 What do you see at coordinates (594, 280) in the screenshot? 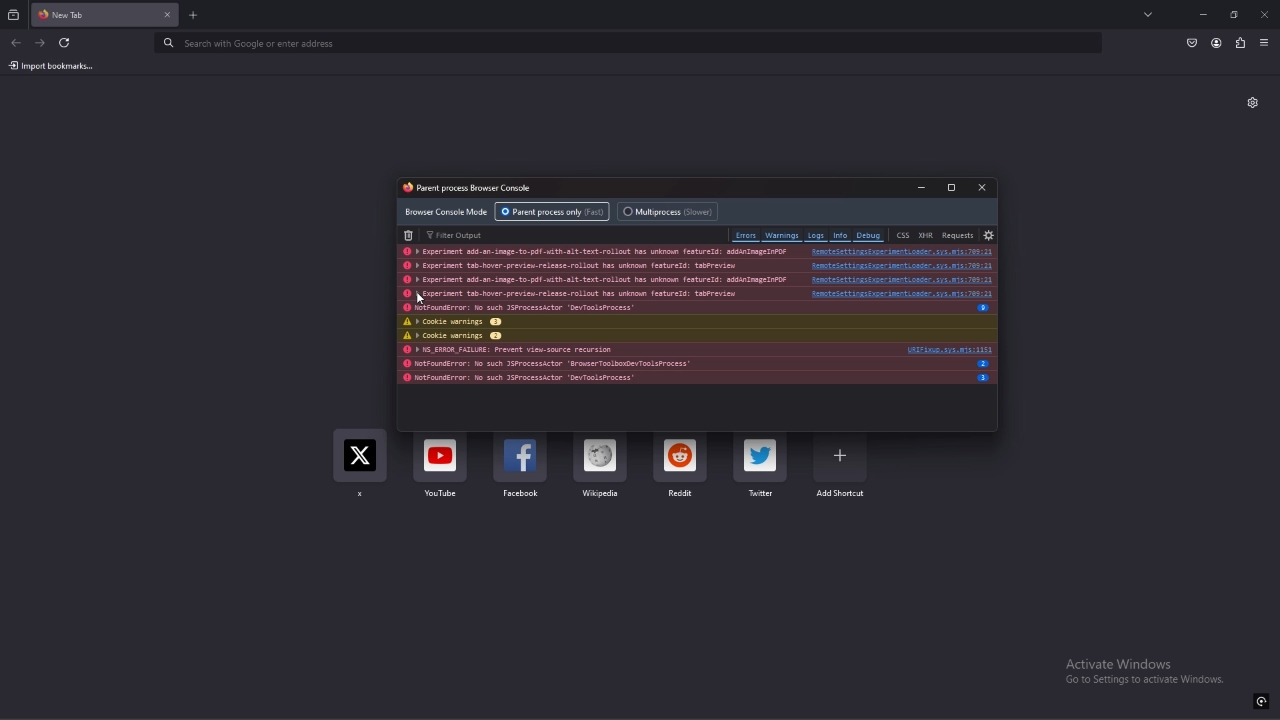
I see `log` at bounding box center [594, 280].